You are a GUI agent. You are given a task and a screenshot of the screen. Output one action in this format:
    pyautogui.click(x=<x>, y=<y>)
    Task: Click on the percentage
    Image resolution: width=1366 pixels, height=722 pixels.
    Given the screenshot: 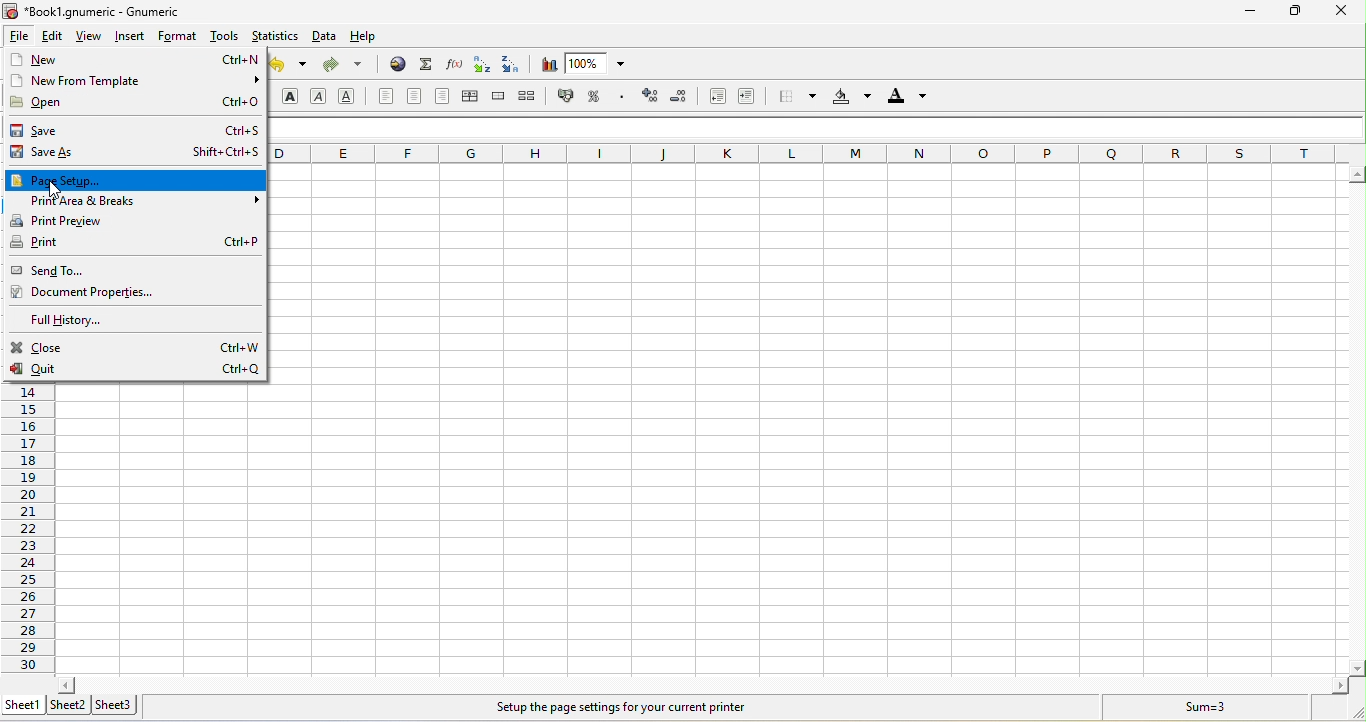 What is the action you would take?
    pyautogui.click(x=594, y=96)
    